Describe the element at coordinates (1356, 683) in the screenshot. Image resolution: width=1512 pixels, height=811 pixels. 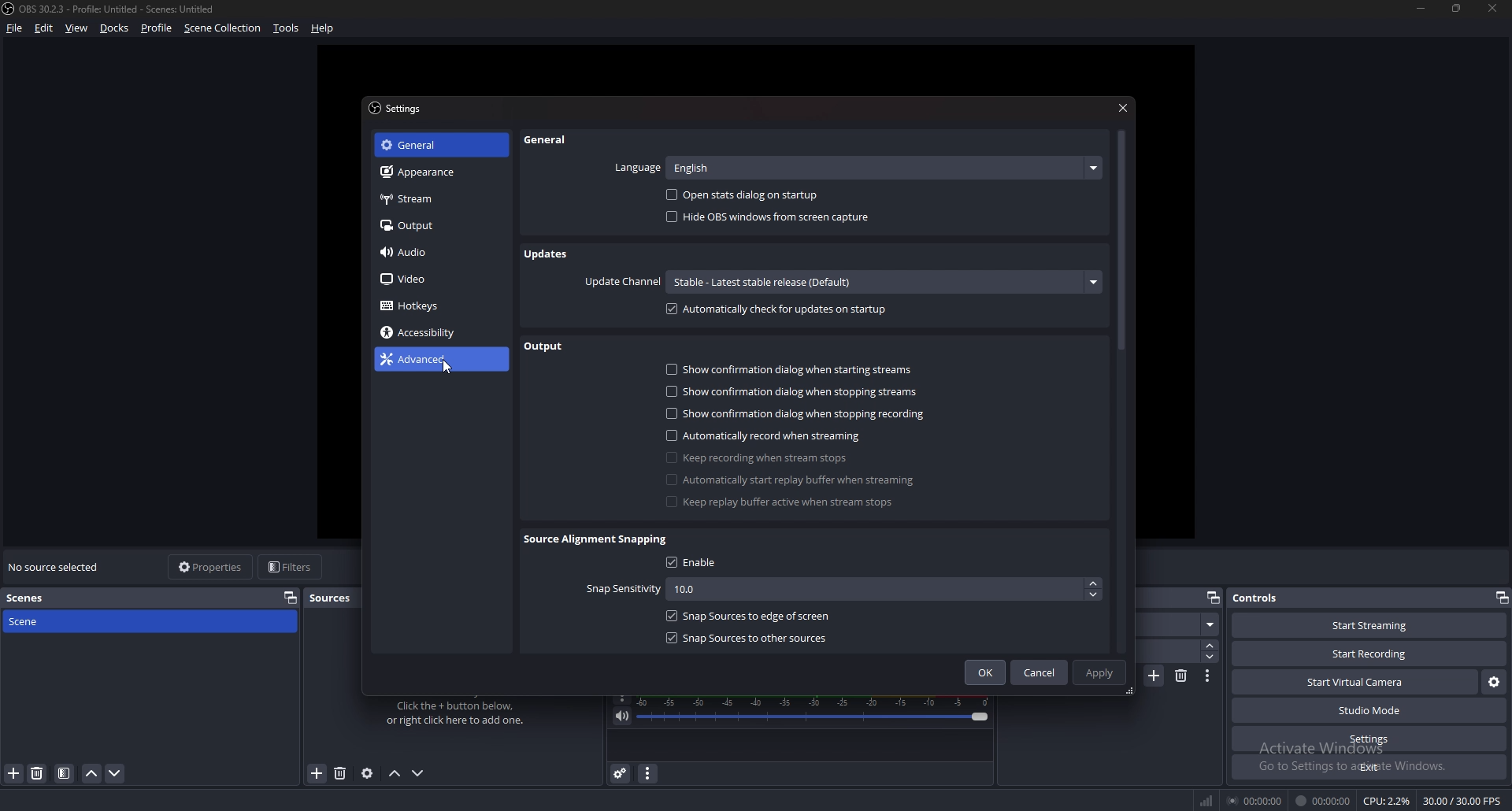
I see `start virtual camera` at that location.